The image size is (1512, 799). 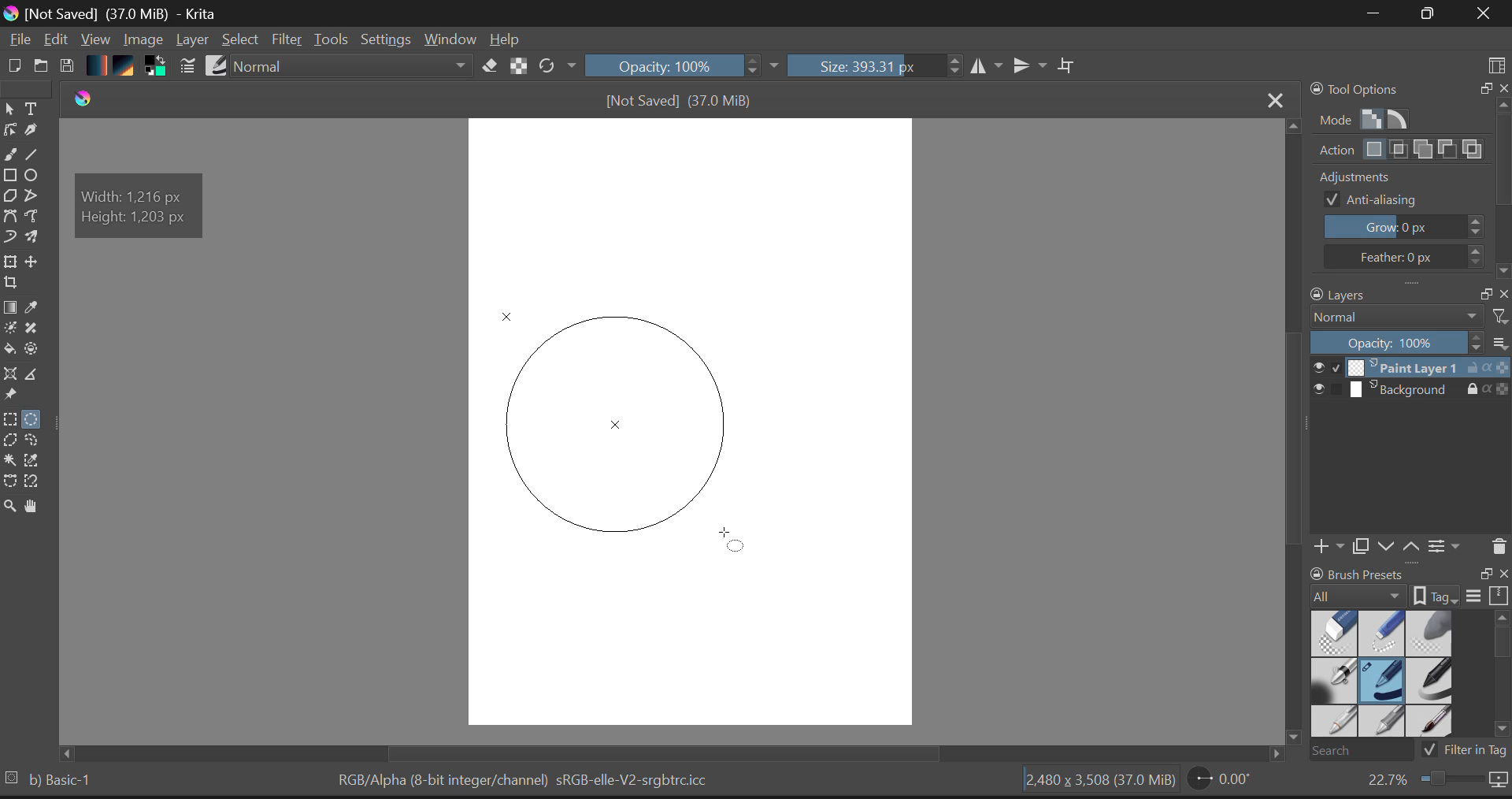 What do you see at coordinates (35, 310) in the screenshot?
I see `Eyedropper` at bounding box center [35, 310].